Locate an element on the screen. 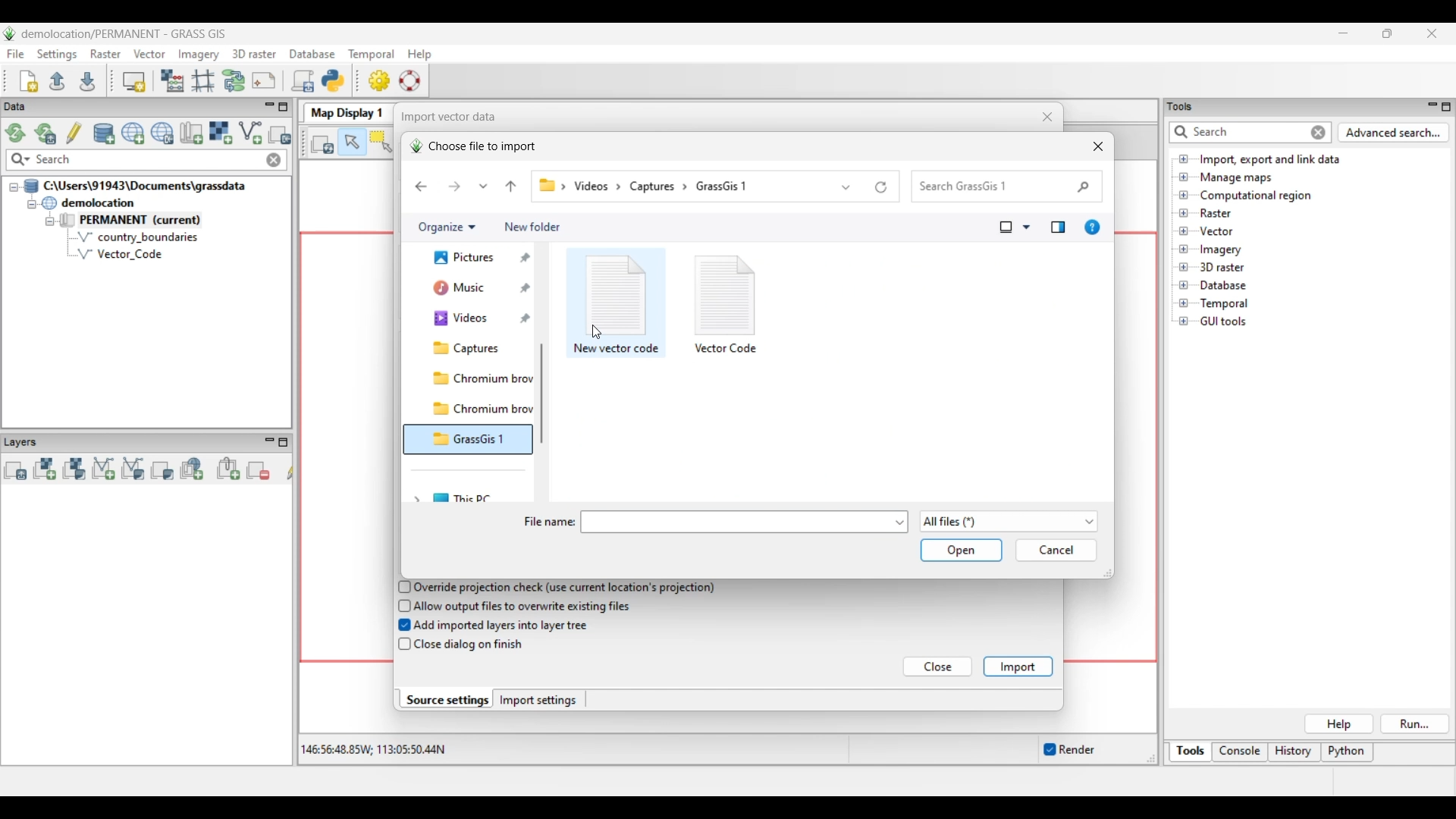 The image size is (1456, 819). Create new map set in current project is located at coordinates (191, 133).